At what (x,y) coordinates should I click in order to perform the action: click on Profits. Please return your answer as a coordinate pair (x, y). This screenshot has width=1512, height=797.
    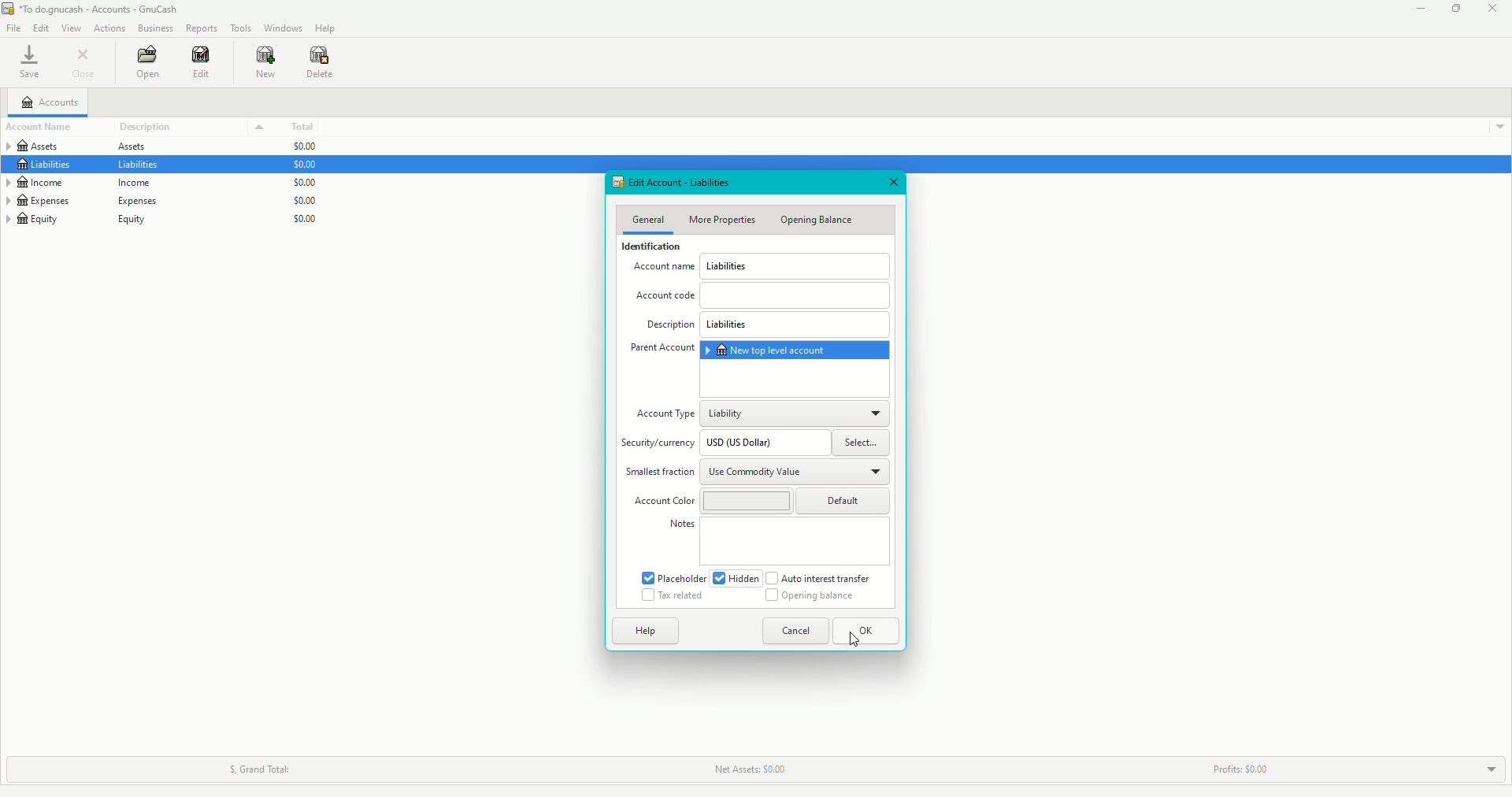
    Looking at the image, I should click on (1238, 769).